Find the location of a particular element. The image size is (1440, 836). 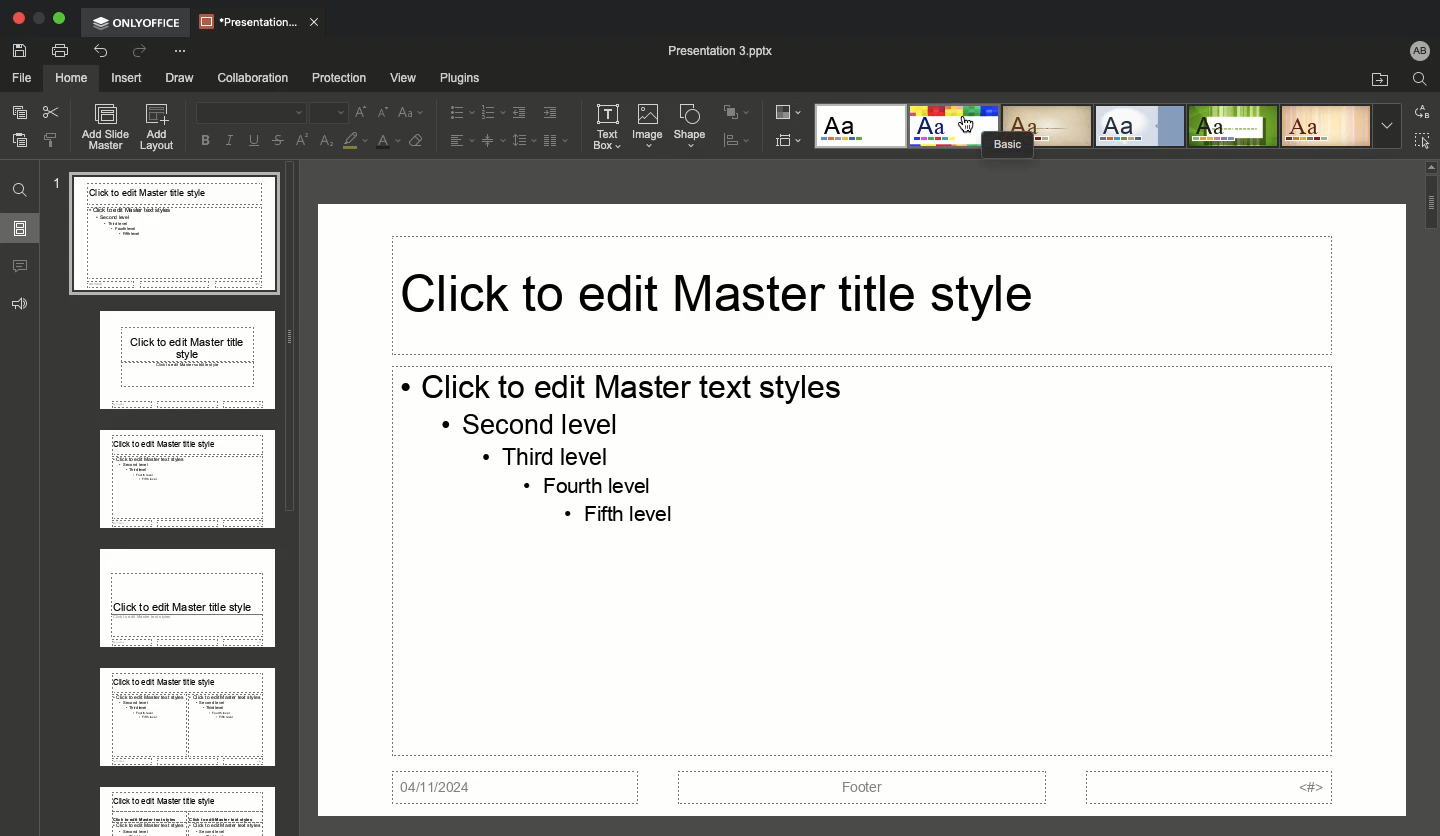

Collaboration is located at coordinates (252, 77).